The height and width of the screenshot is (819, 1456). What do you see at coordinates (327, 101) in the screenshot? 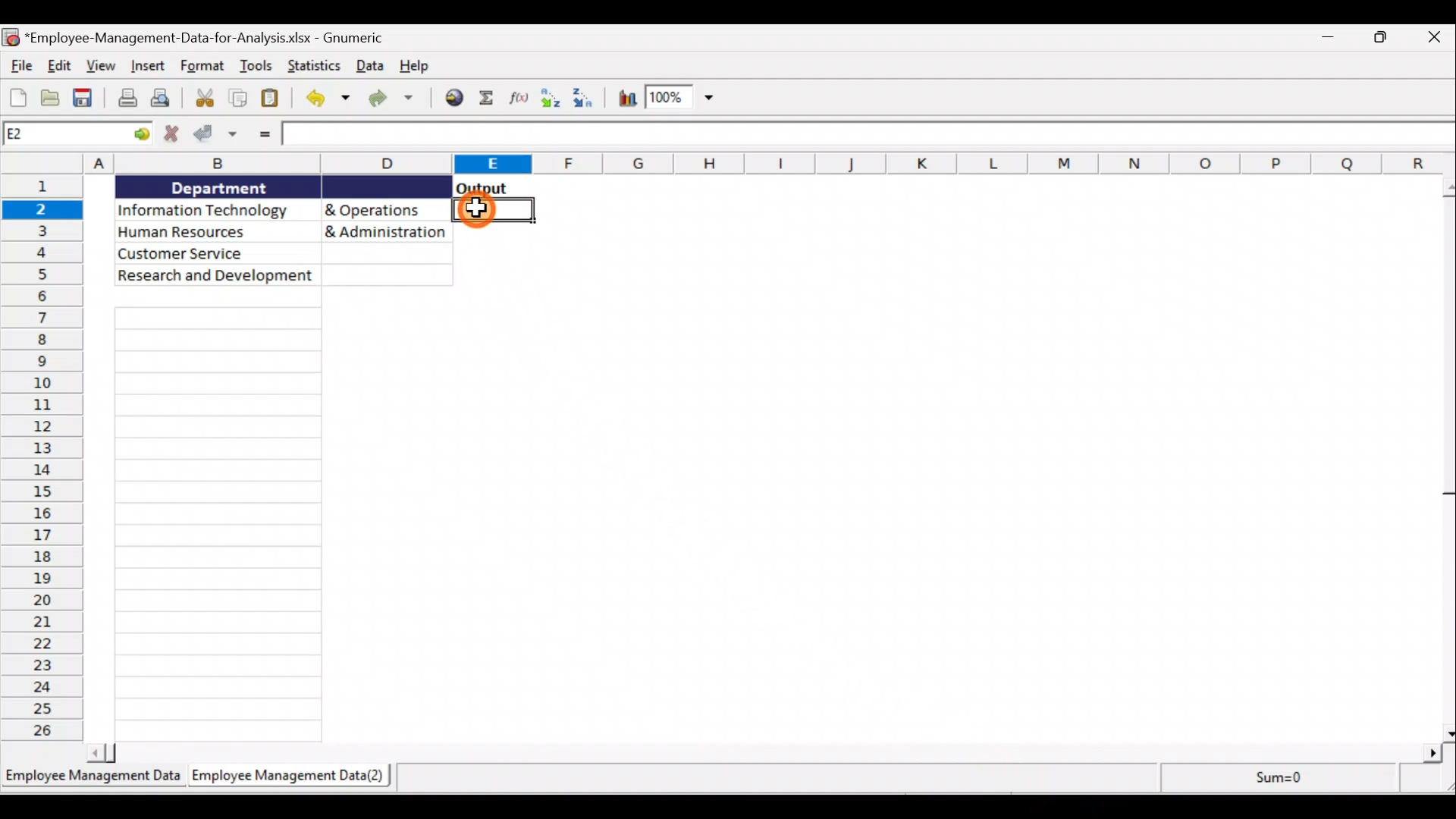
I see `Undo last action` at bounding box center [327, 101].